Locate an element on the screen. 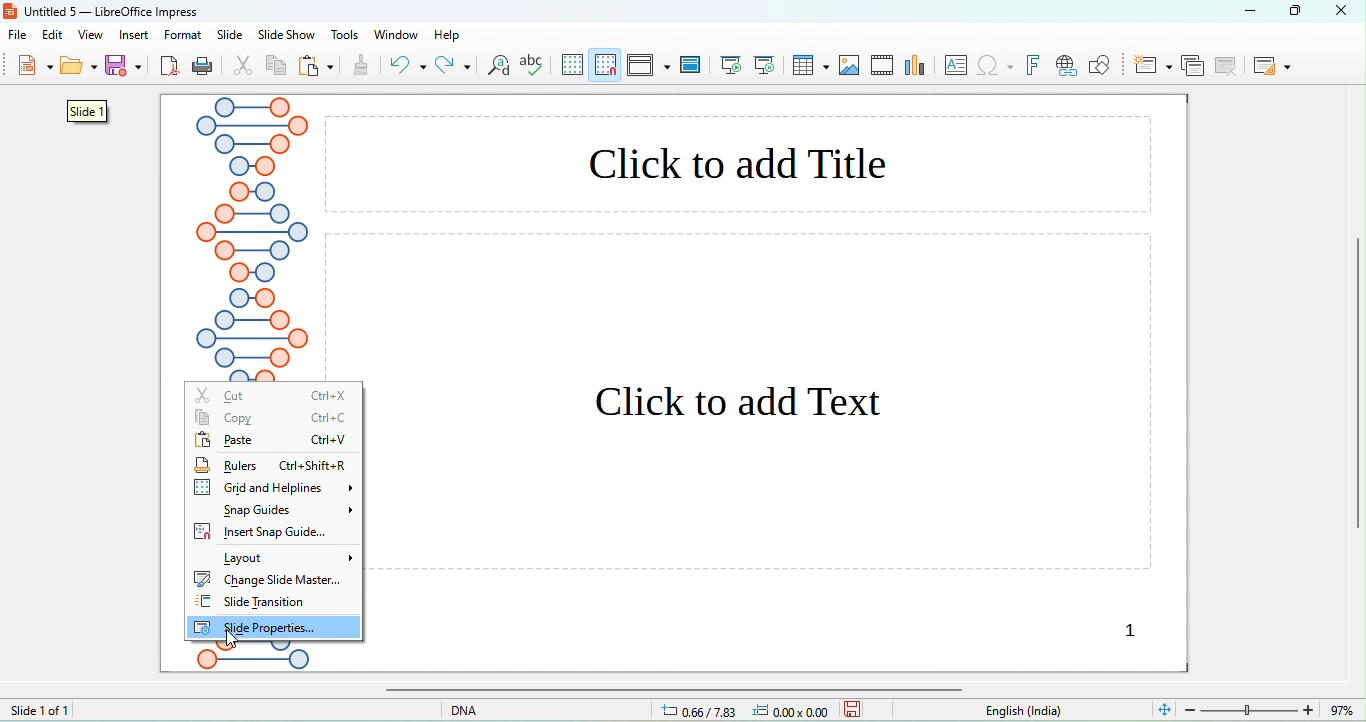  zoom is located at coordinates (1273, 708).